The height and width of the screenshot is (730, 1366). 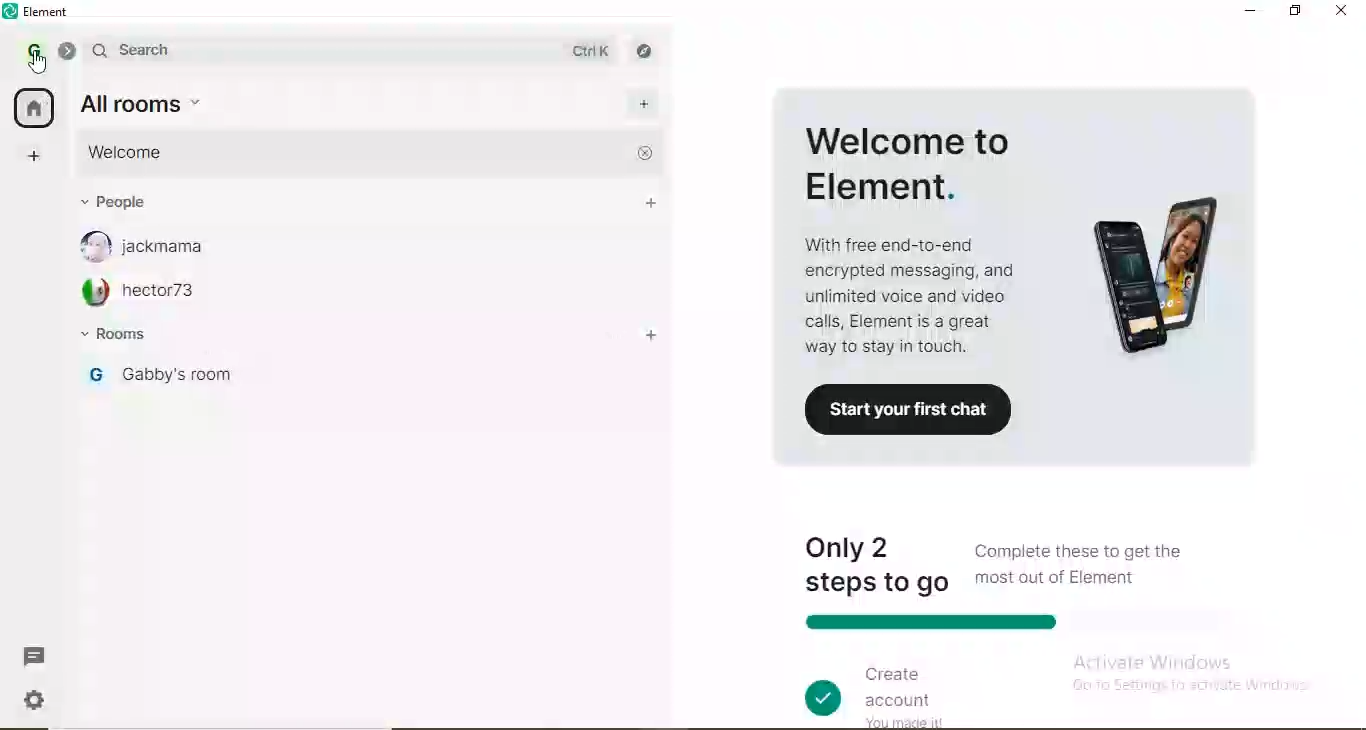 I want to click on collapse, so click(x=65, y=53).